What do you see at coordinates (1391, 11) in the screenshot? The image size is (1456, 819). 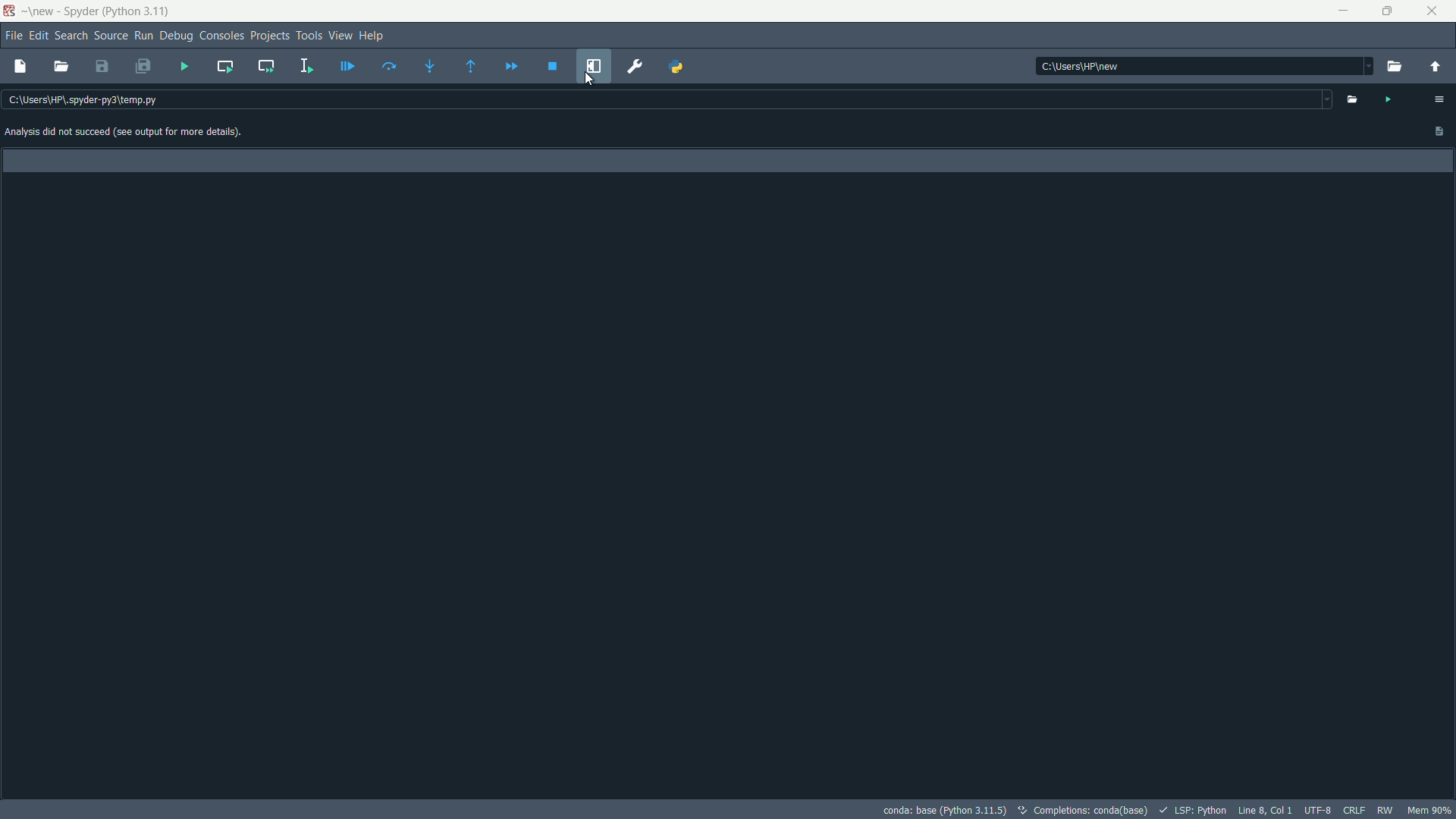 I see `maximize` at bounding box center [1391, 11].